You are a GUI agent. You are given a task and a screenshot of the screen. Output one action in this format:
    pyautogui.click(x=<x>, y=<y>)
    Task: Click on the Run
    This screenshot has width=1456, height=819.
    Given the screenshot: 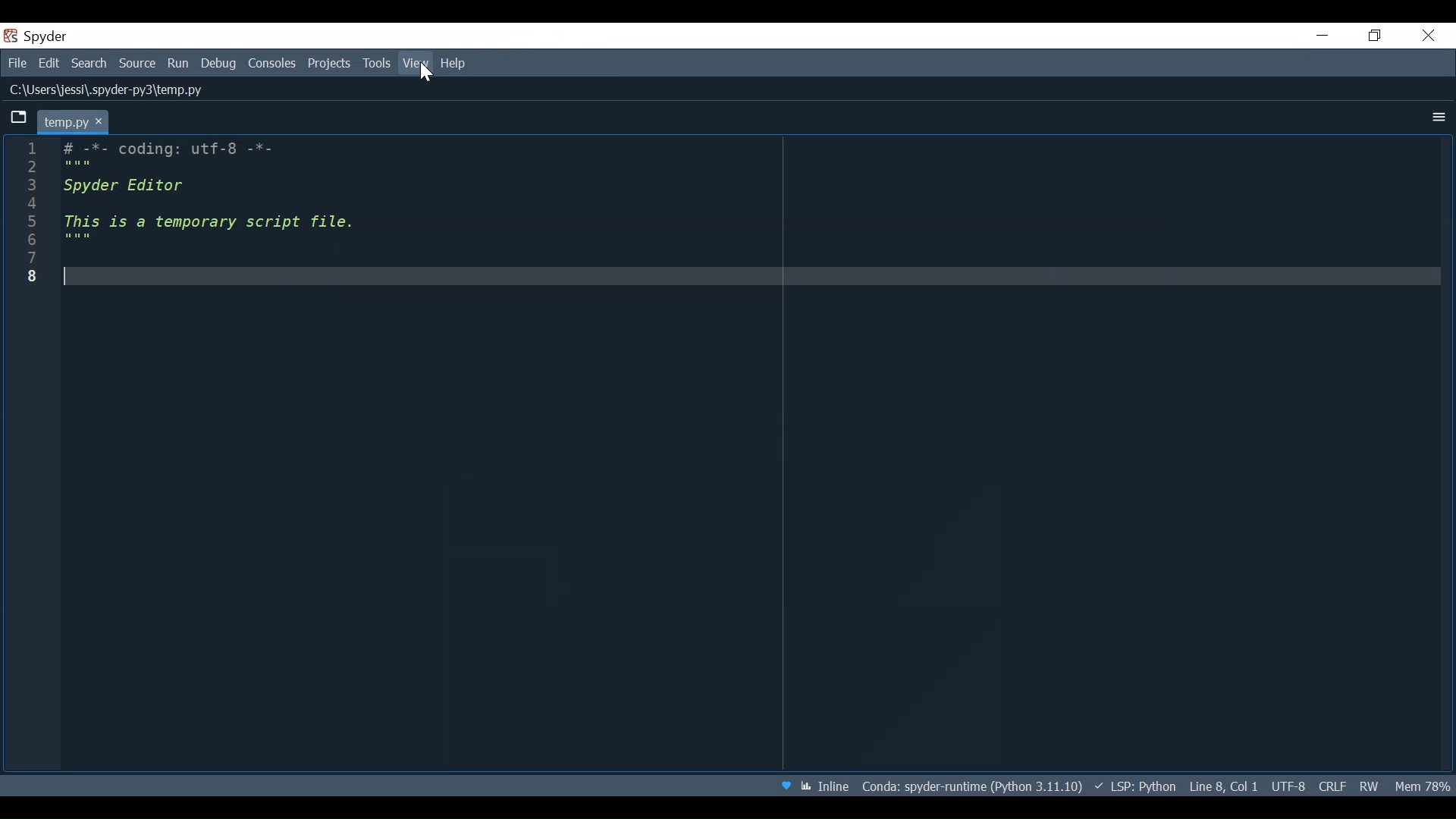 What is the action you would take?
    pyautogui.click(x=179, y=63)
    